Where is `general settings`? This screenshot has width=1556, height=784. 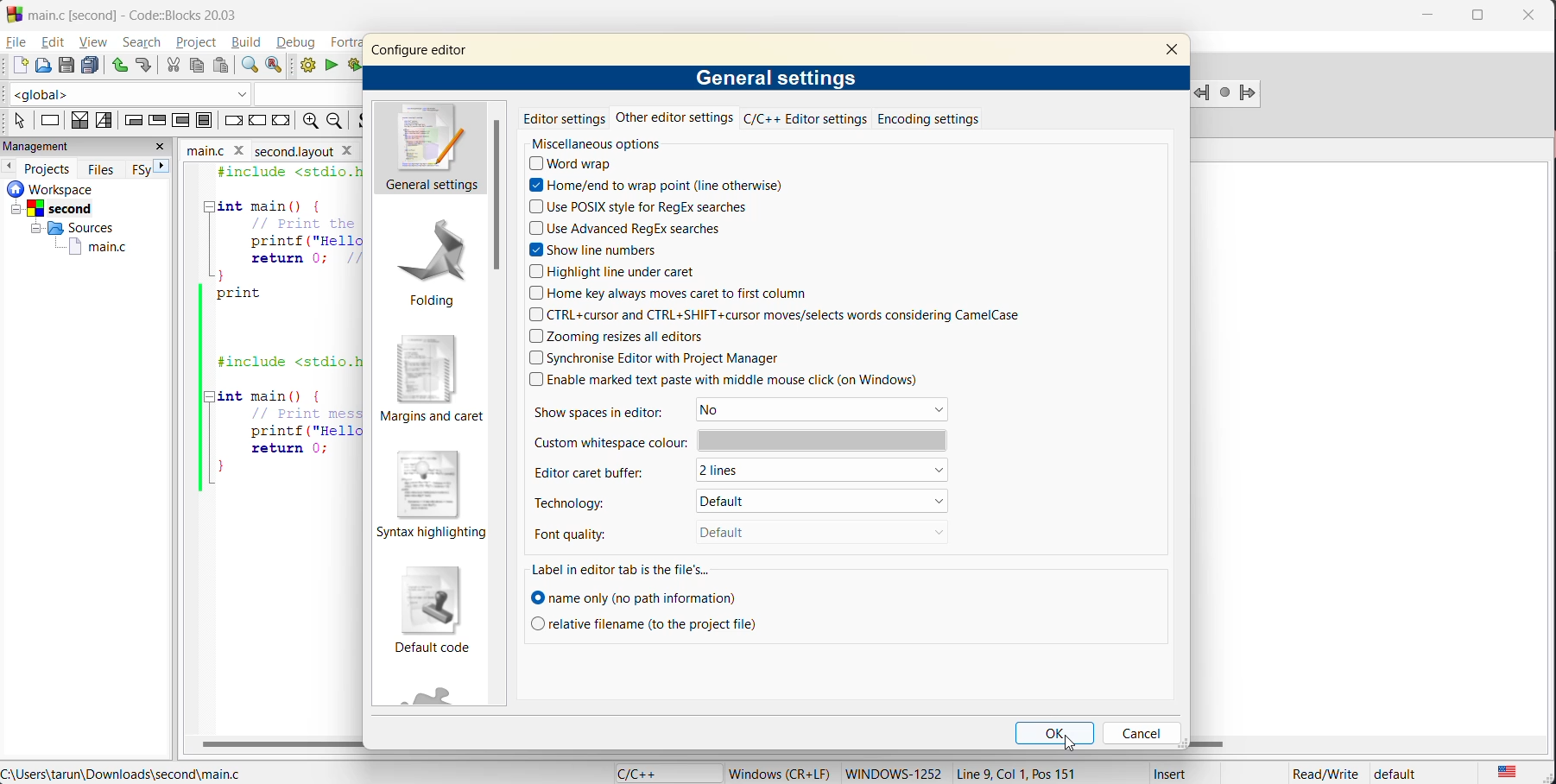 general settings is located at coordinates (774, 79).